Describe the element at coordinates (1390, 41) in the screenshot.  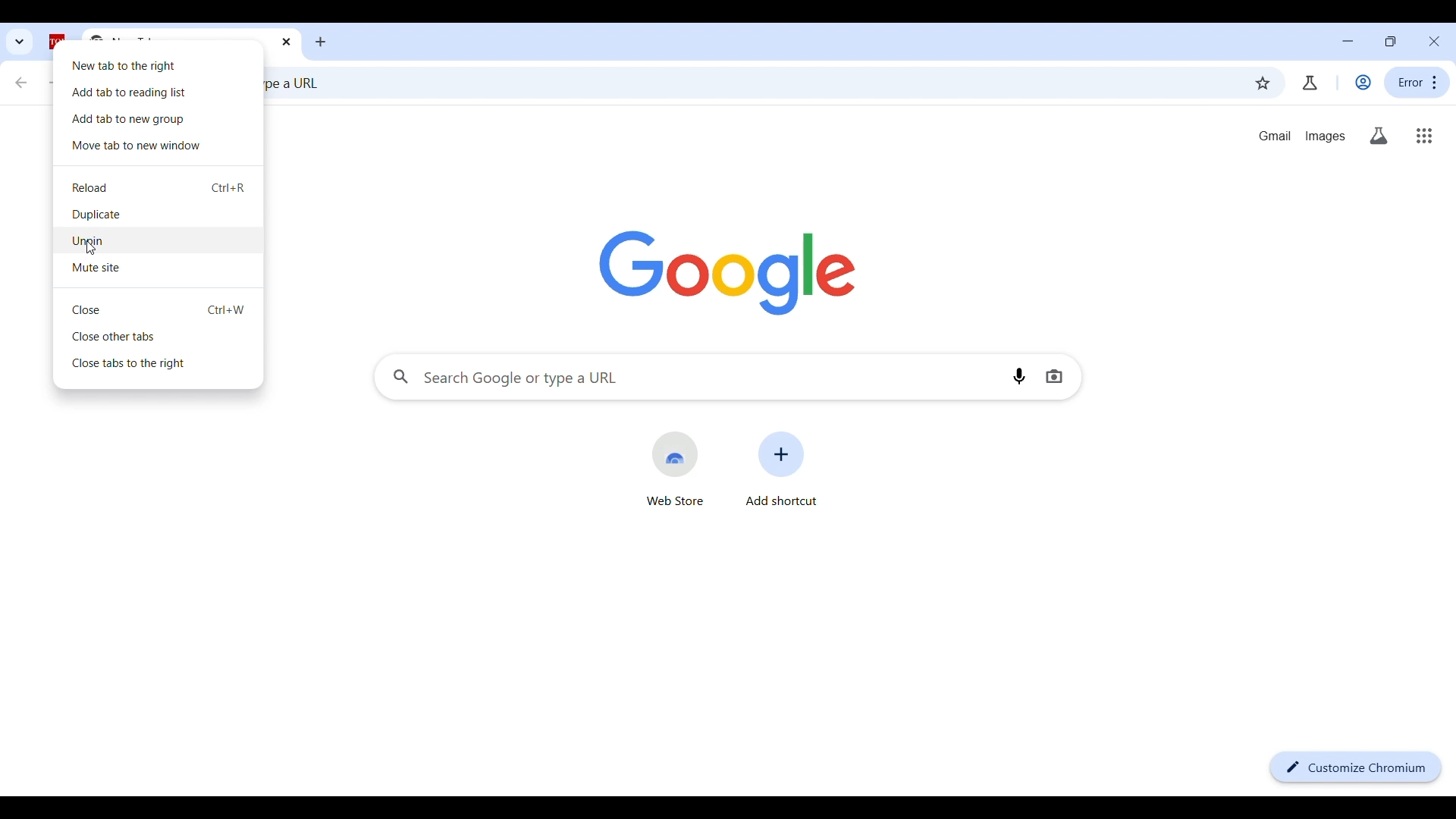
I see `Show interface in a smaller tab` at that location.